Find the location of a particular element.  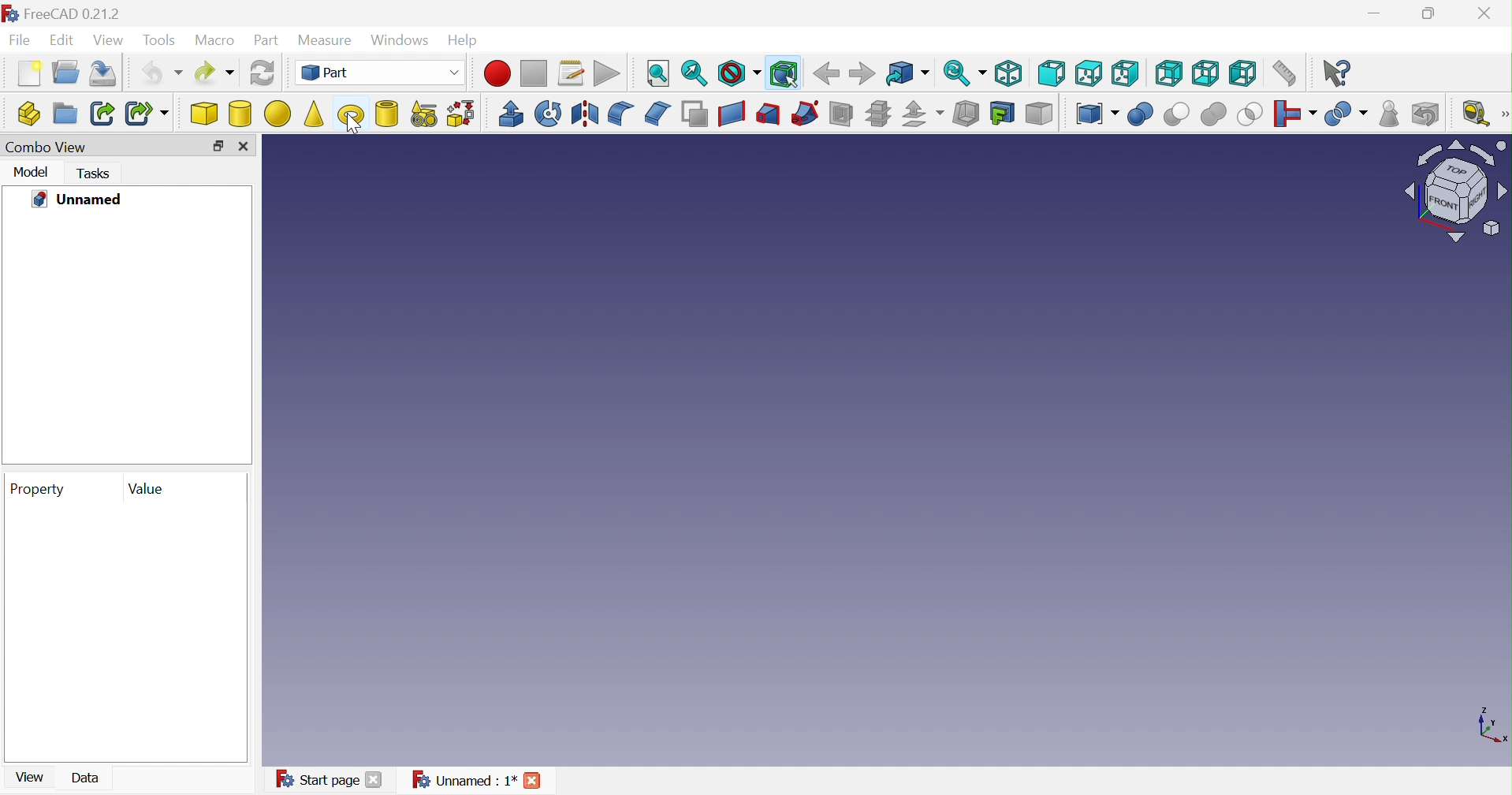

Measure liner is located at coordinates (1477, 116).